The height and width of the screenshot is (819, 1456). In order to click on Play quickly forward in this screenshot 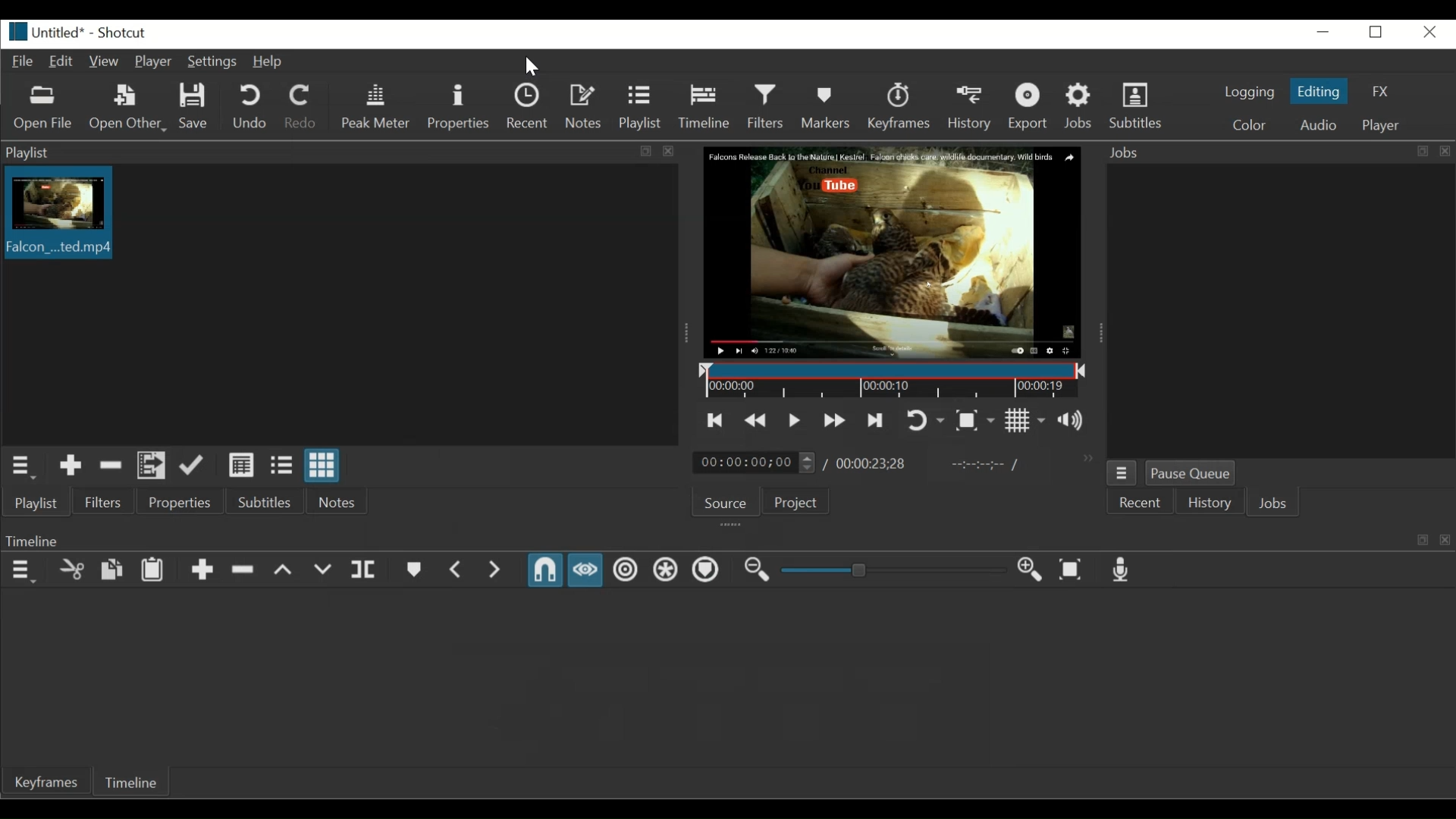, I will do `click(834, 419)`.